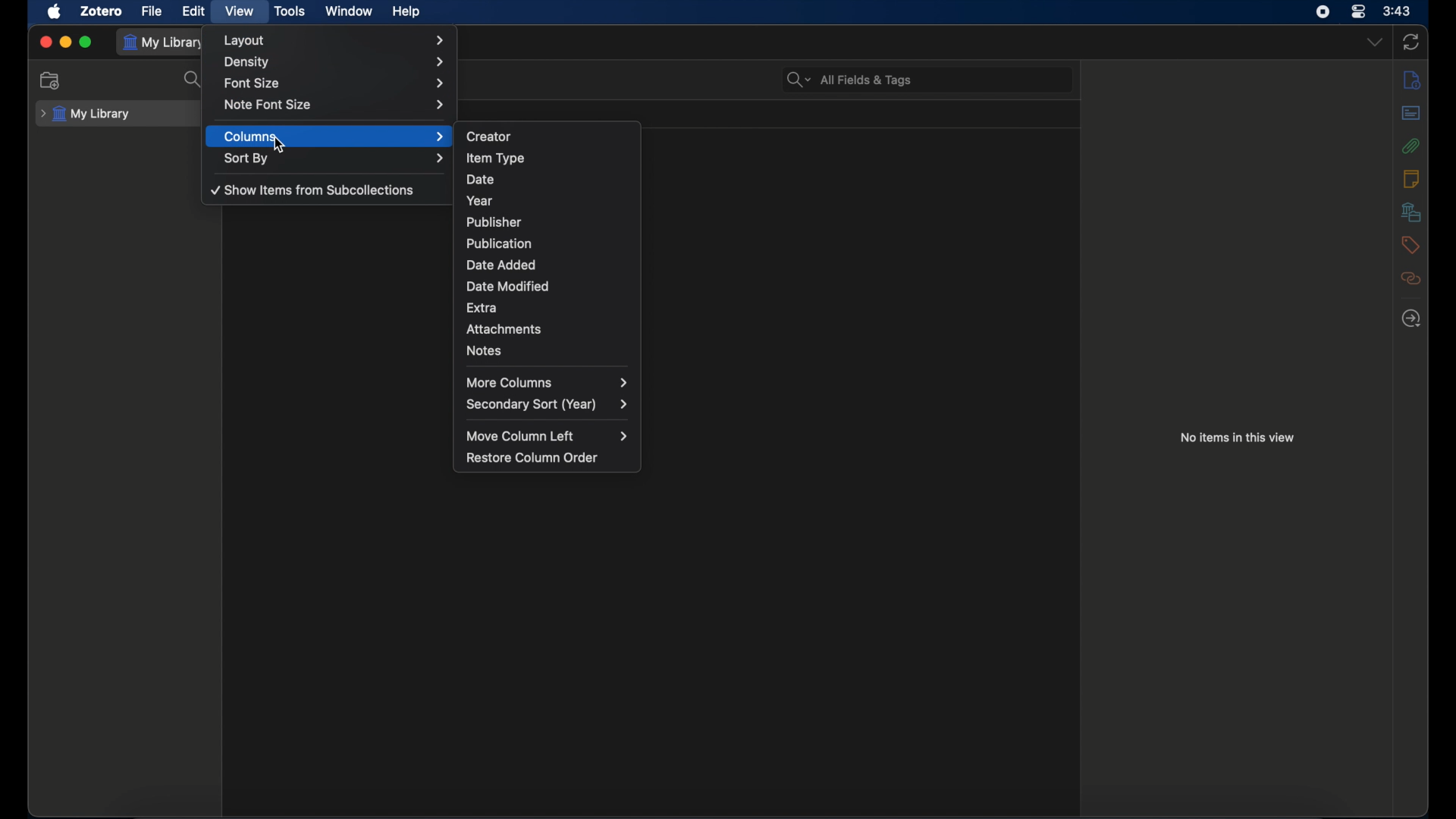 This screenshot has width=1456, height=819. What do you see at coordinates (65, 42) in the screenshot?
I see `minimize` at bounding box center [65, 42].